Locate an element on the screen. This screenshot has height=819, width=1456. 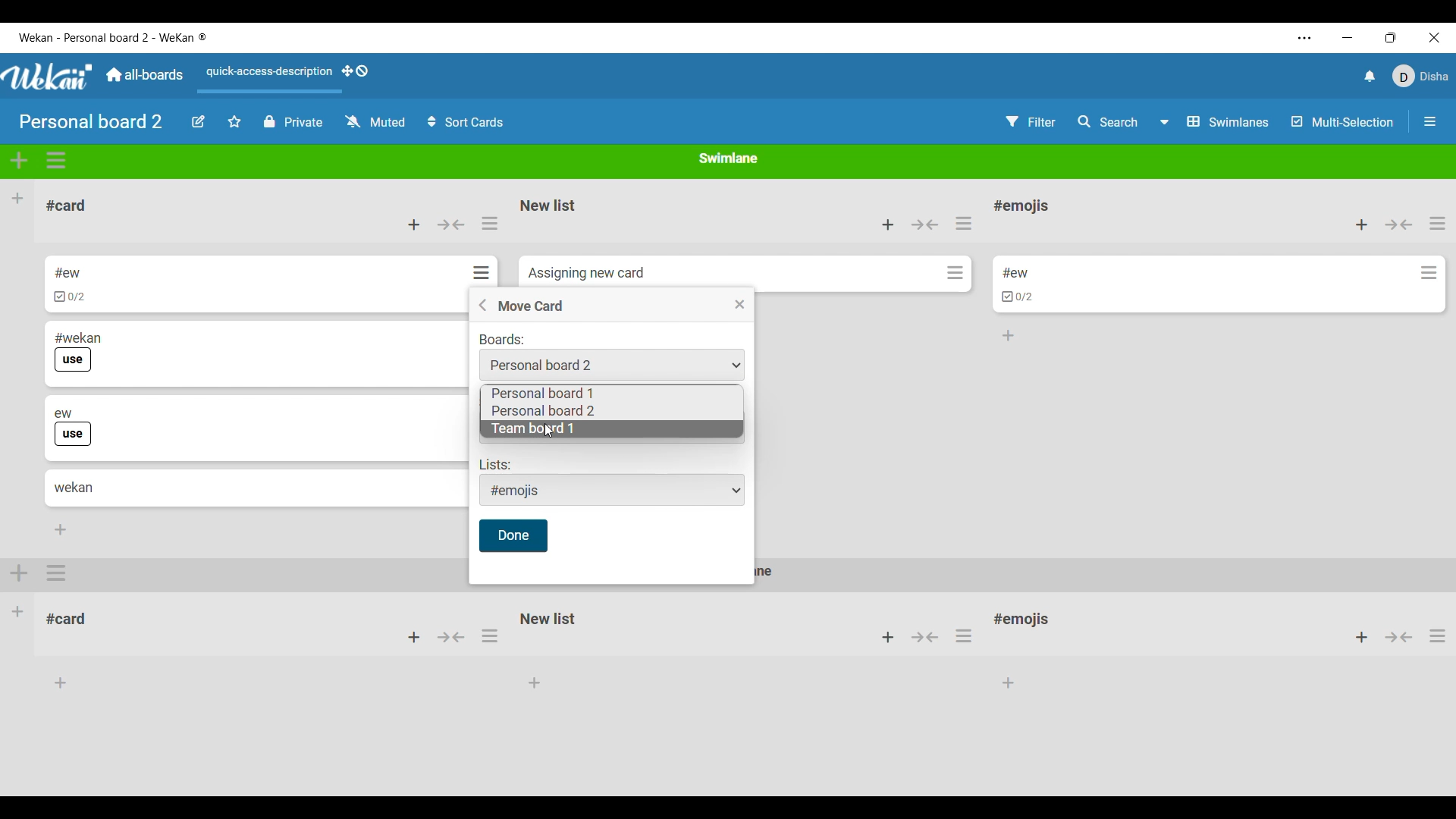
Filter is located at coordinates (1031, 122).